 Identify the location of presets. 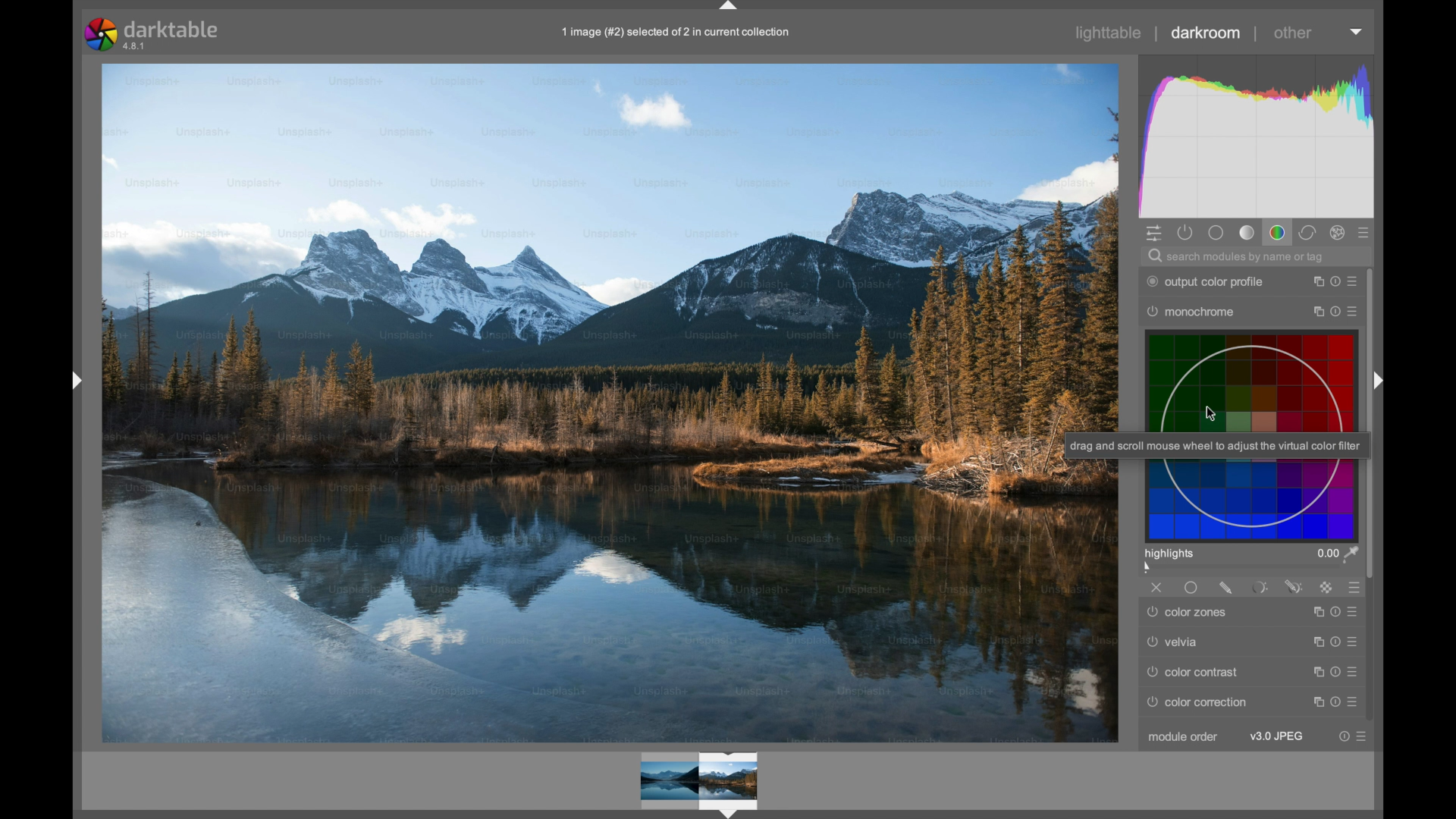
(1364, 736).